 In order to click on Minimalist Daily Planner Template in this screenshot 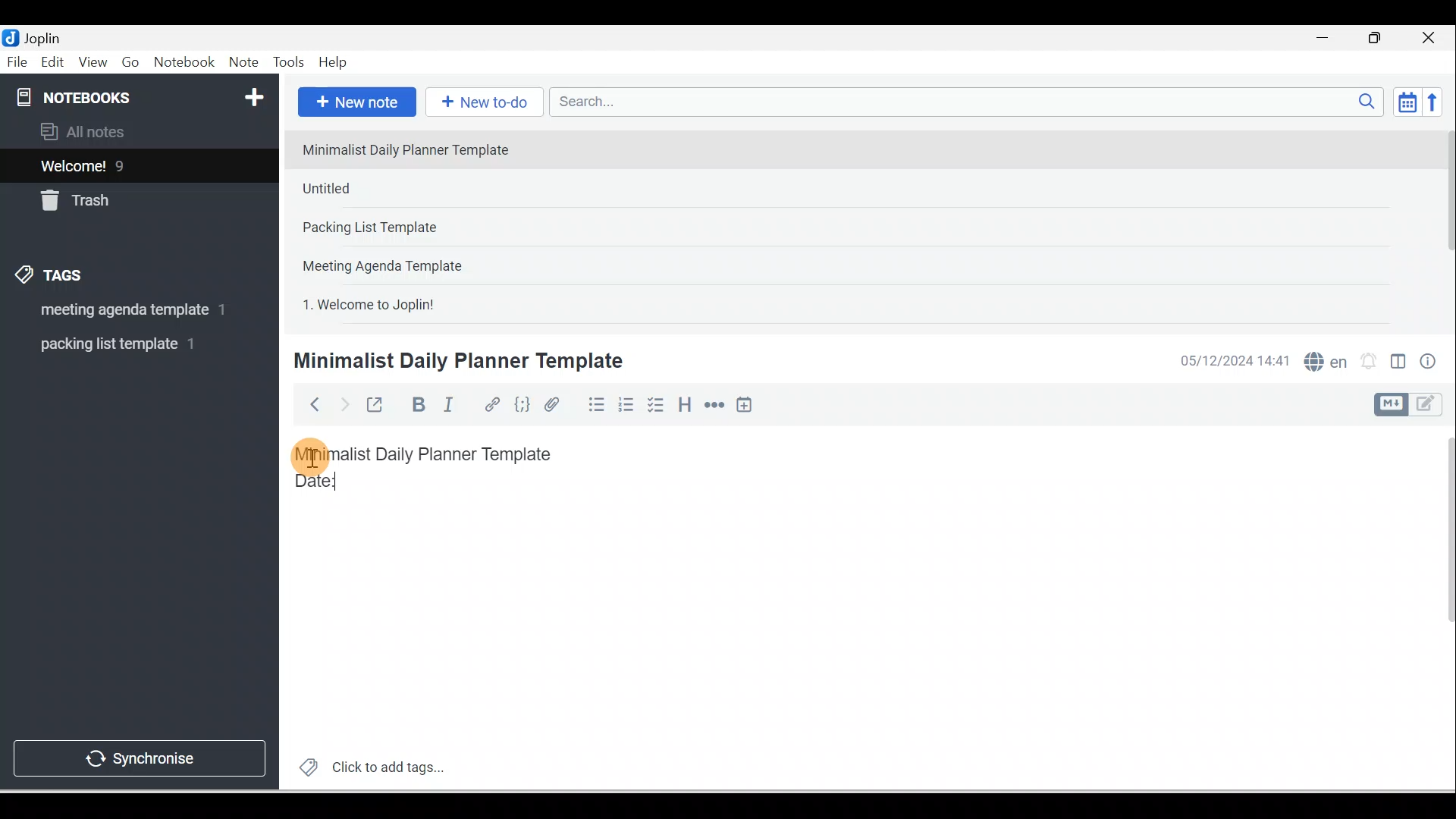, I will do `click(463, 359)`.